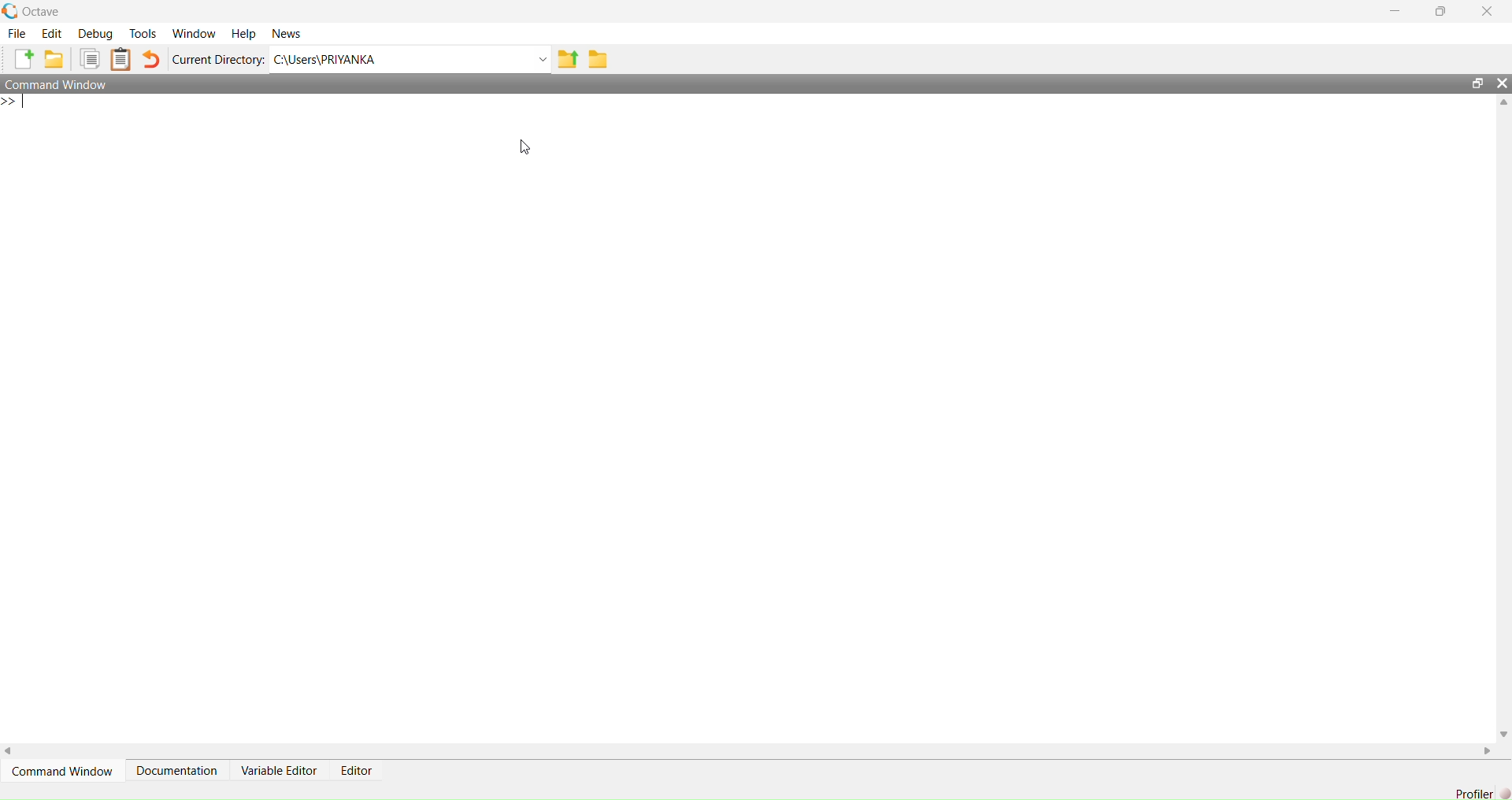 The image size is (1512, 800). Describe the element at coordinates (1478, 84) in the screenshot. I see `Maximize/Restore` at that location.